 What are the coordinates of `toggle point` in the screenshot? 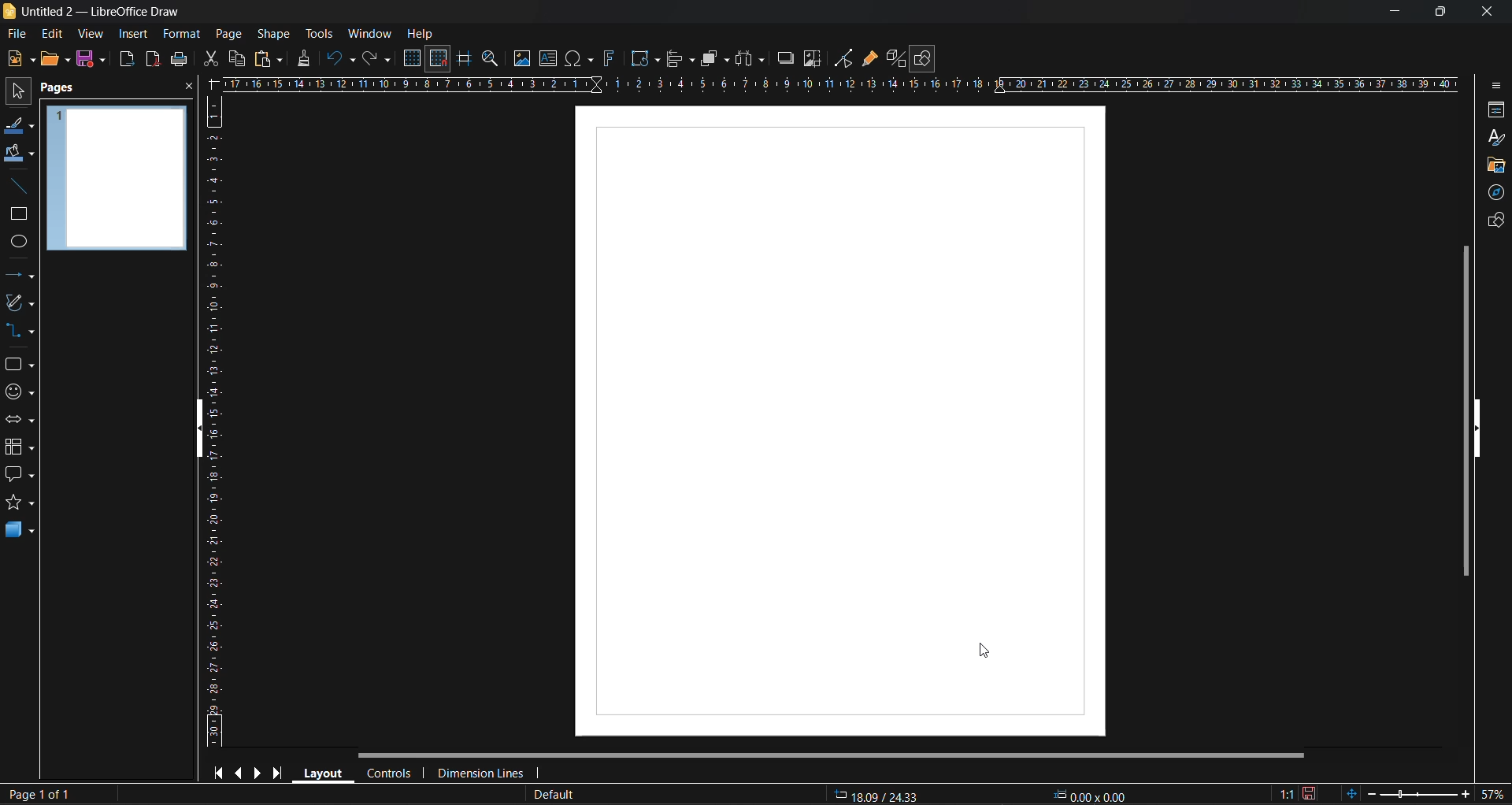 It's located at (846, 60).